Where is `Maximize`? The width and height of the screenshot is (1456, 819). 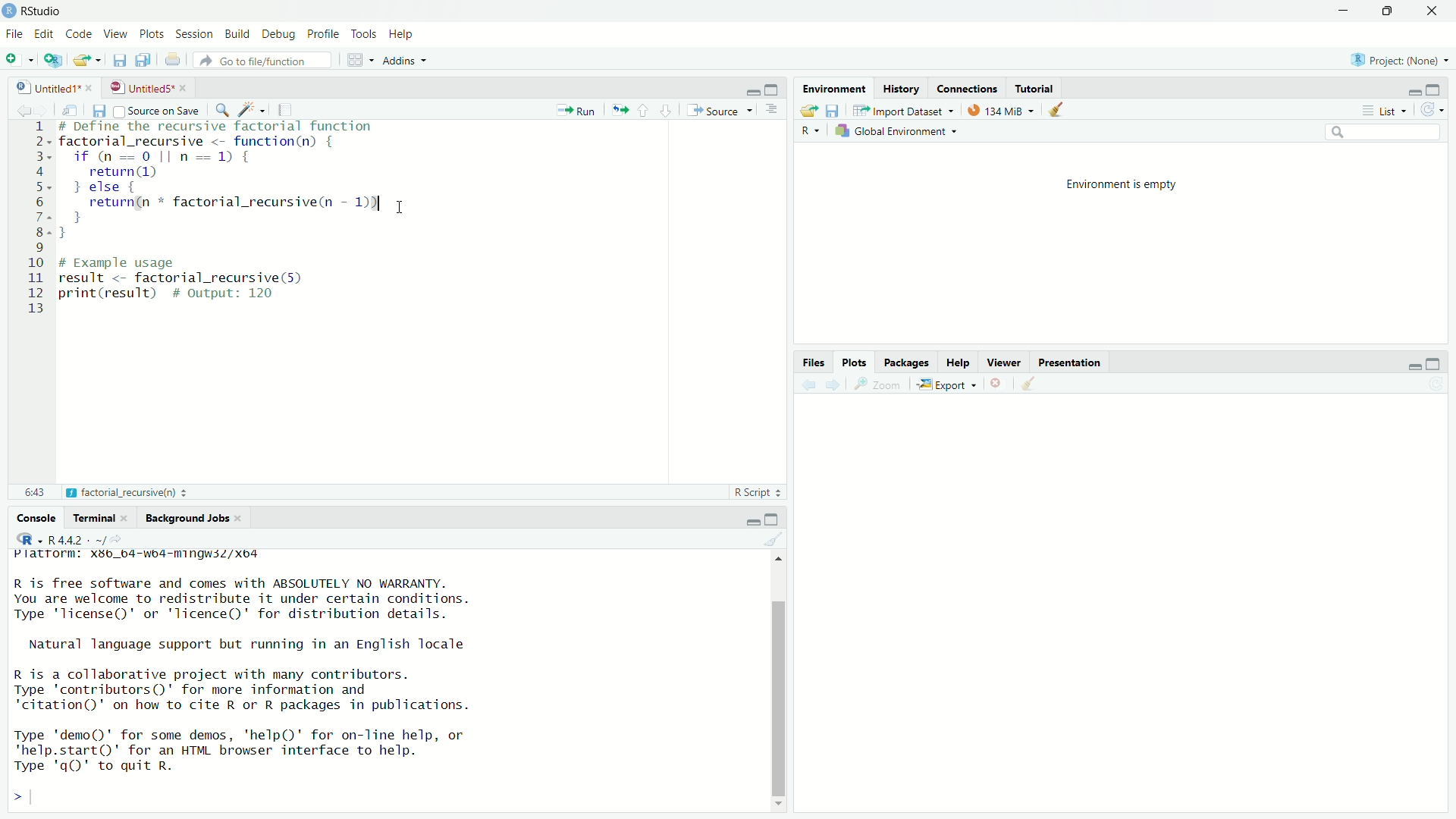 Maximize is located at coordinates (1436, 89).